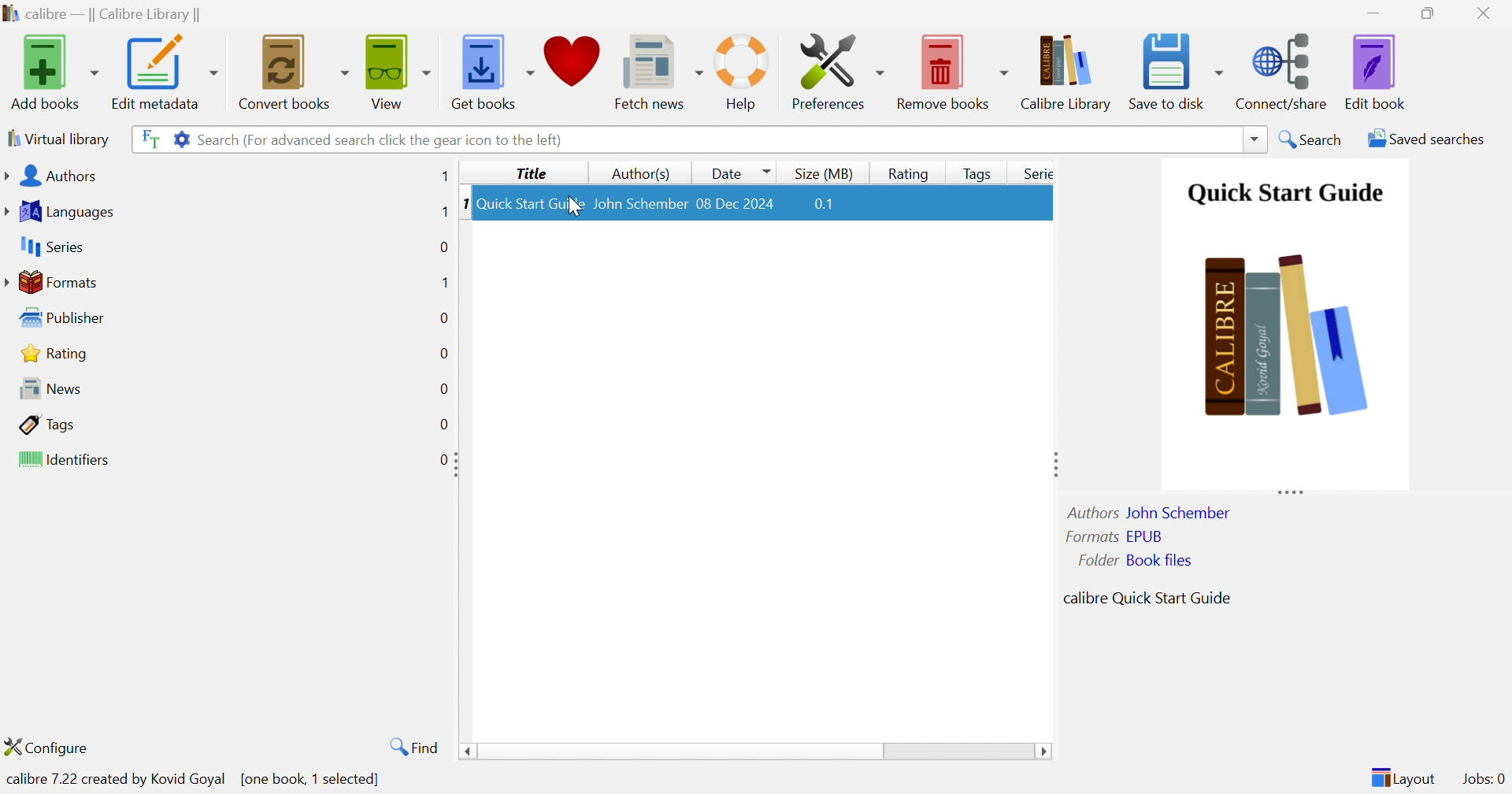  What do you see at coordinates (1251, 138) in the screenshot?
I see `Drop Down` at bounding box center [1251, 138].